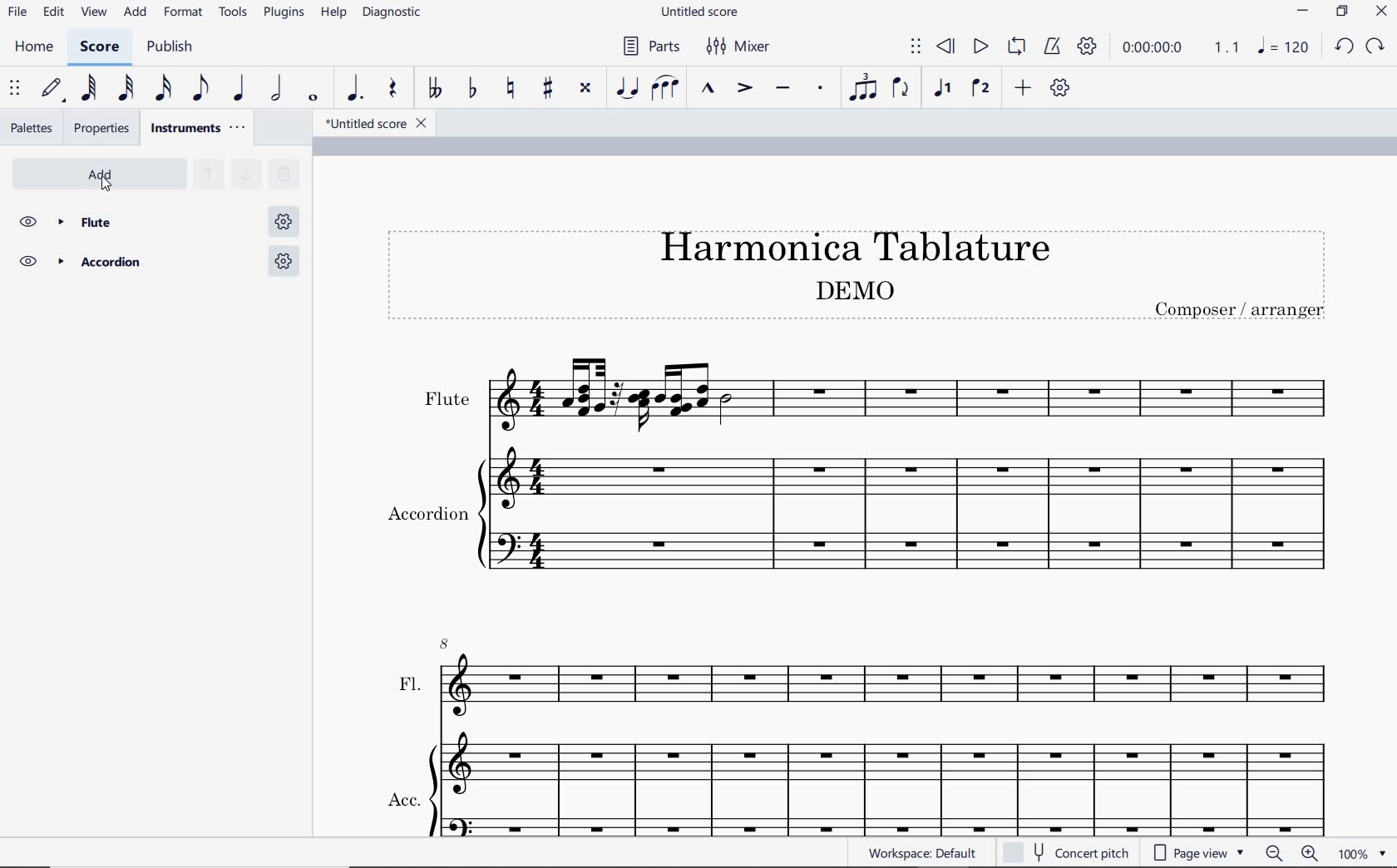 The height and width of the screenshot is (868, 1397). I want to click on select to move, so click(15, 89).